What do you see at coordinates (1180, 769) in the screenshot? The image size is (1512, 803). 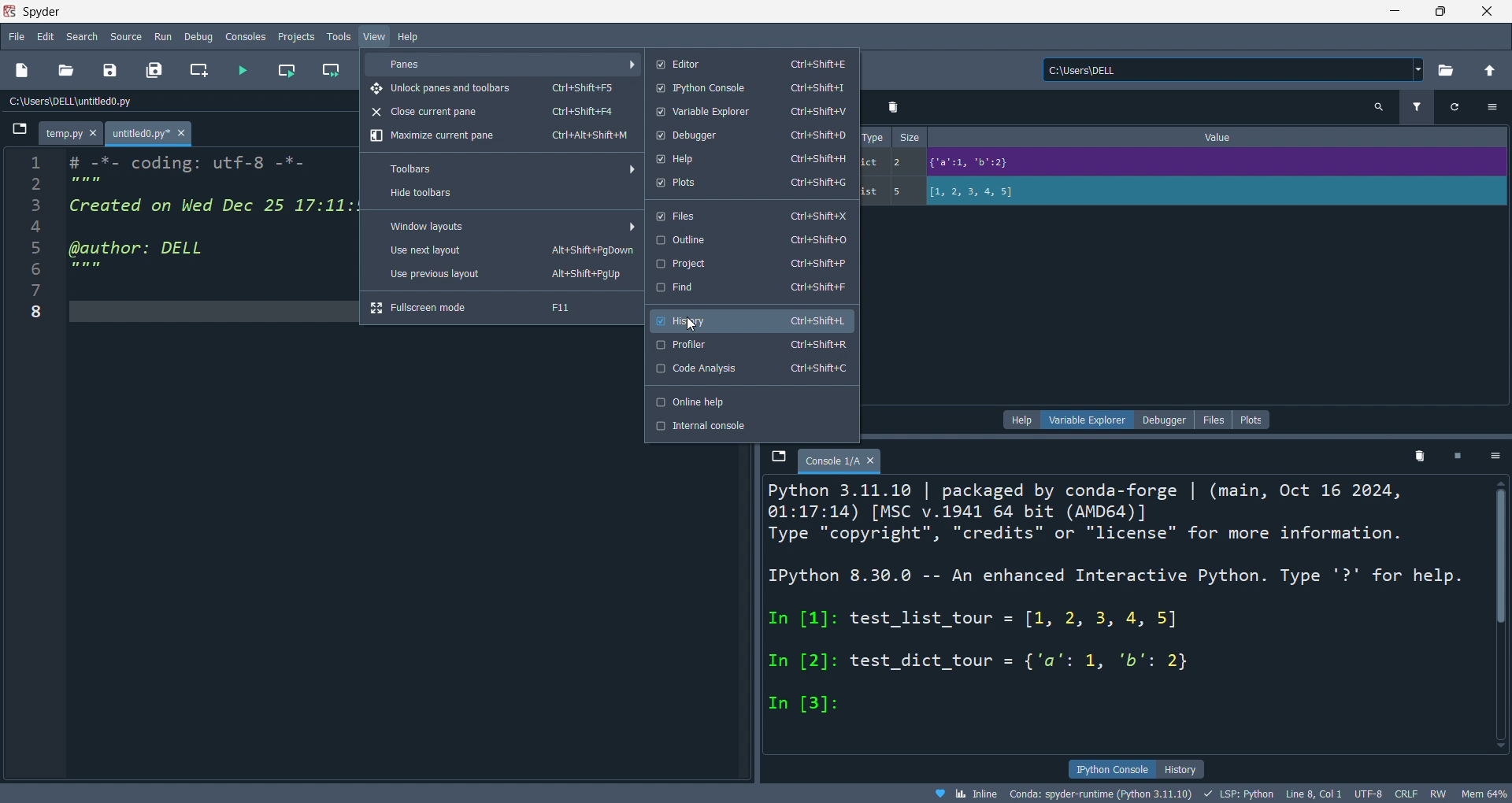 I see `history` at bounding box center [1180, 769].